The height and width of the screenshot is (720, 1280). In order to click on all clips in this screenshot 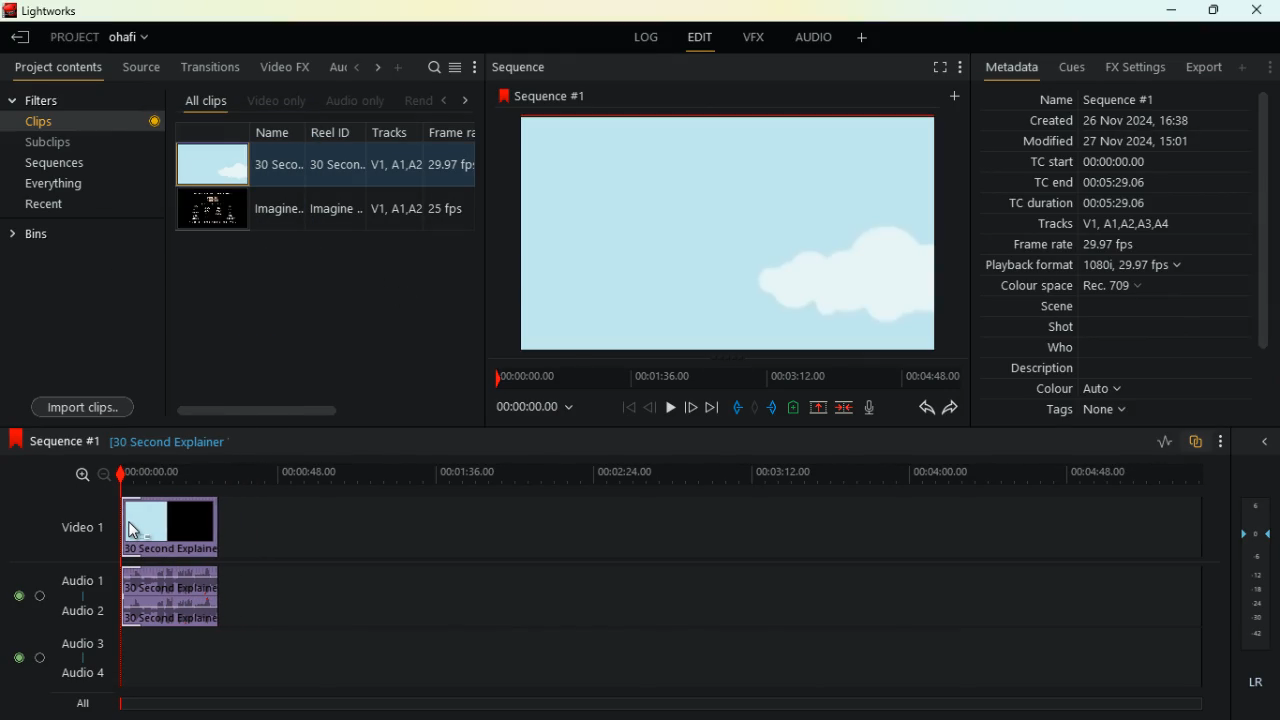, I will do `click(205, 103)`.